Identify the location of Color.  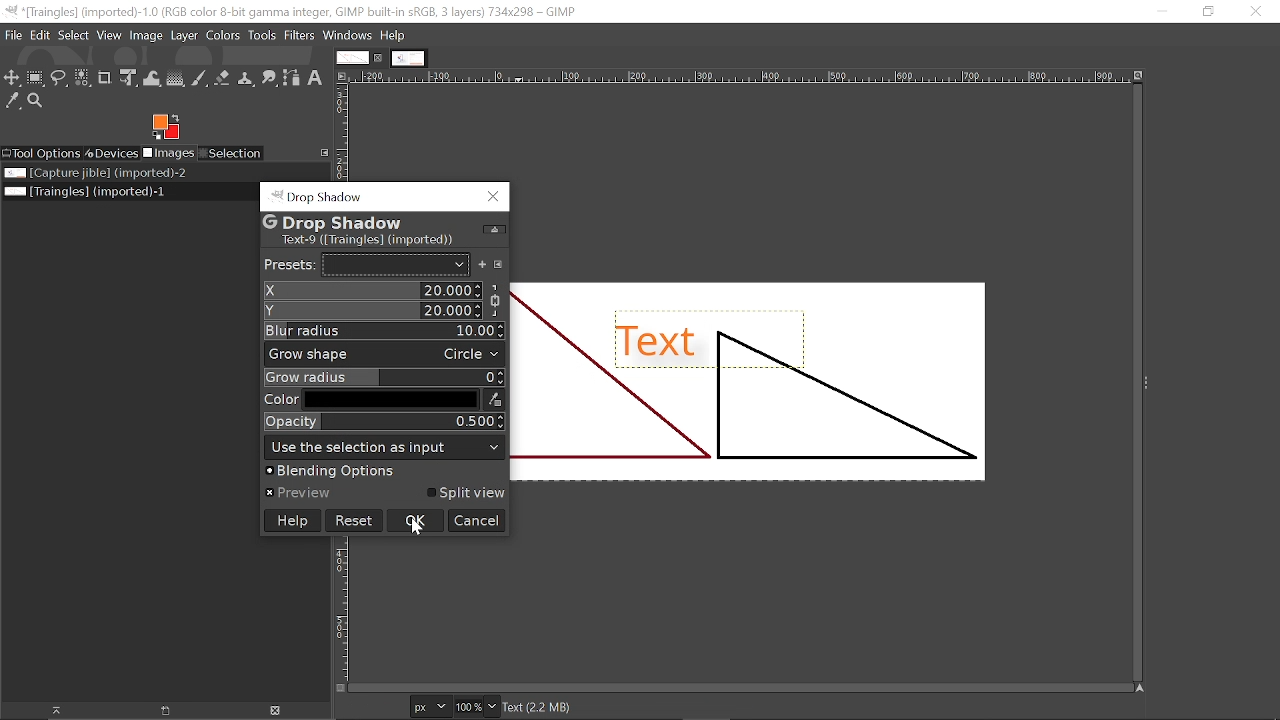
(383, 398).